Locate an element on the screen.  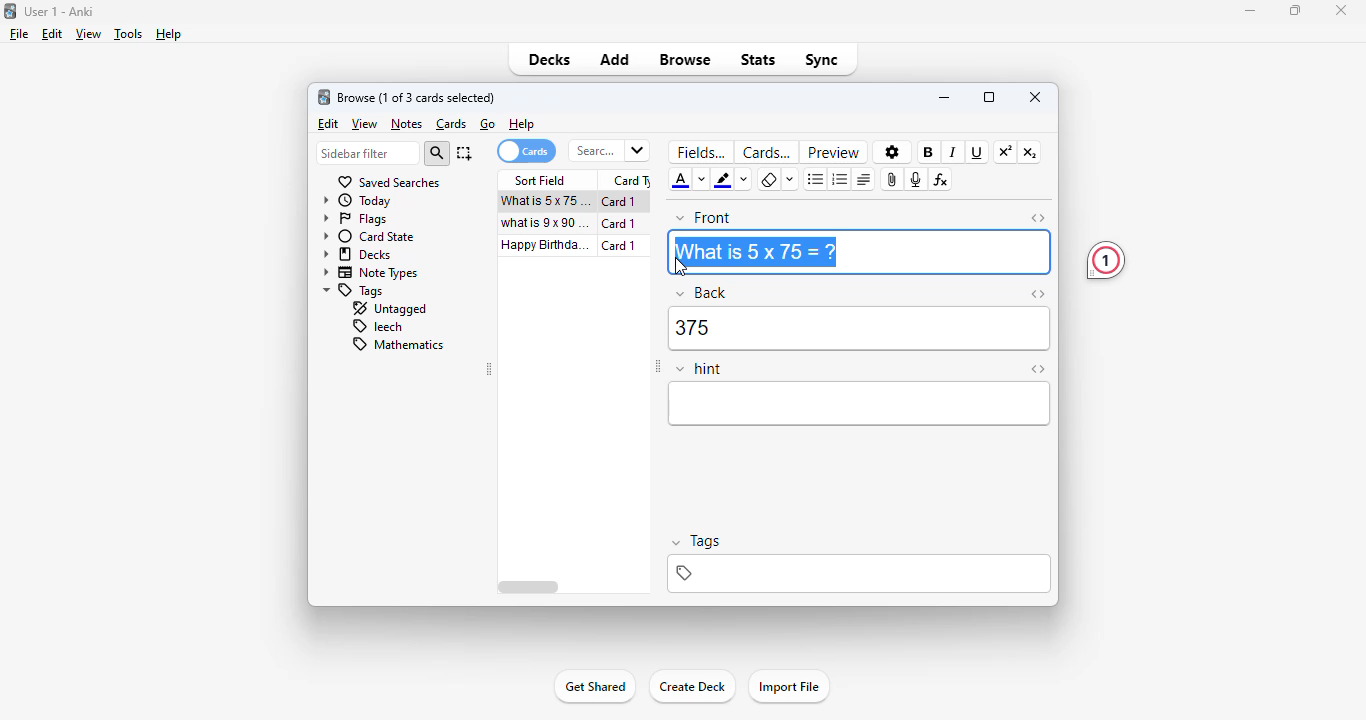
untagged is located at coordinates (391, 309).